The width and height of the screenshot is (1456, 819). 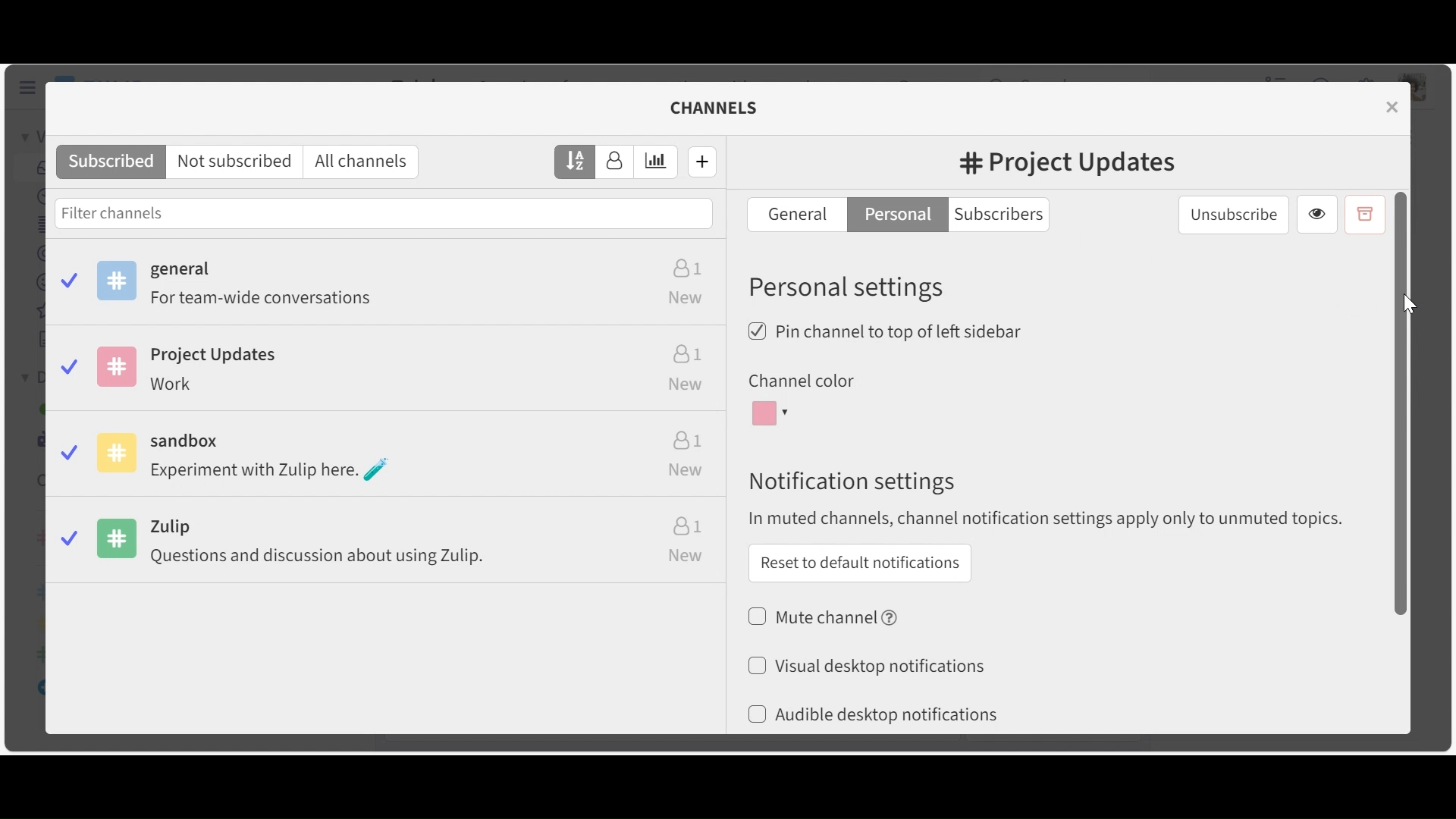 I want to click on Reset to default notifications, so click(x=861, y=563).